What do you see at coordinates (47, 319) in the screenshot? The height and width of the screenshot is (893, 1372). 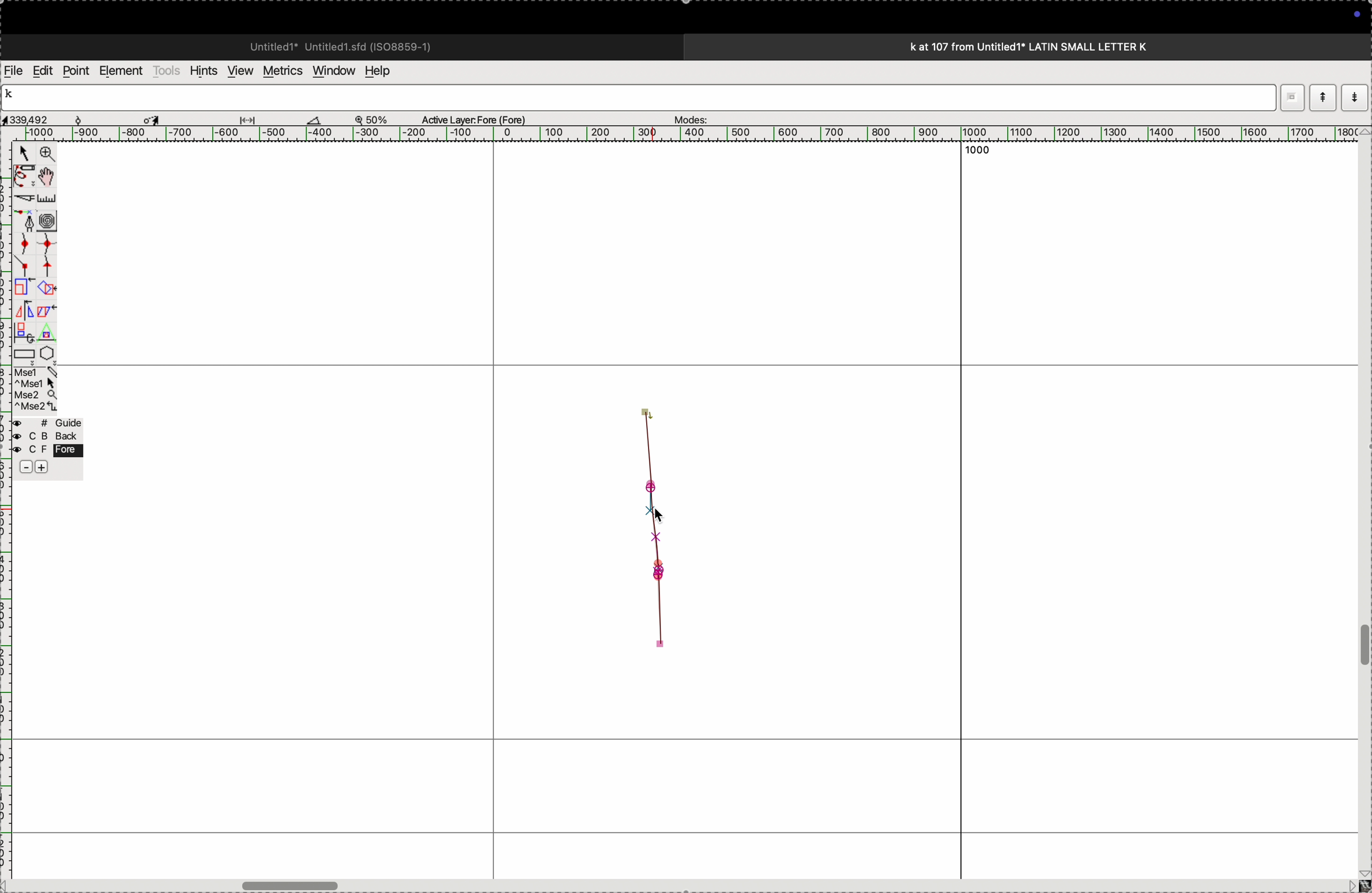 I see `apply` at bounding box center [47, 319].